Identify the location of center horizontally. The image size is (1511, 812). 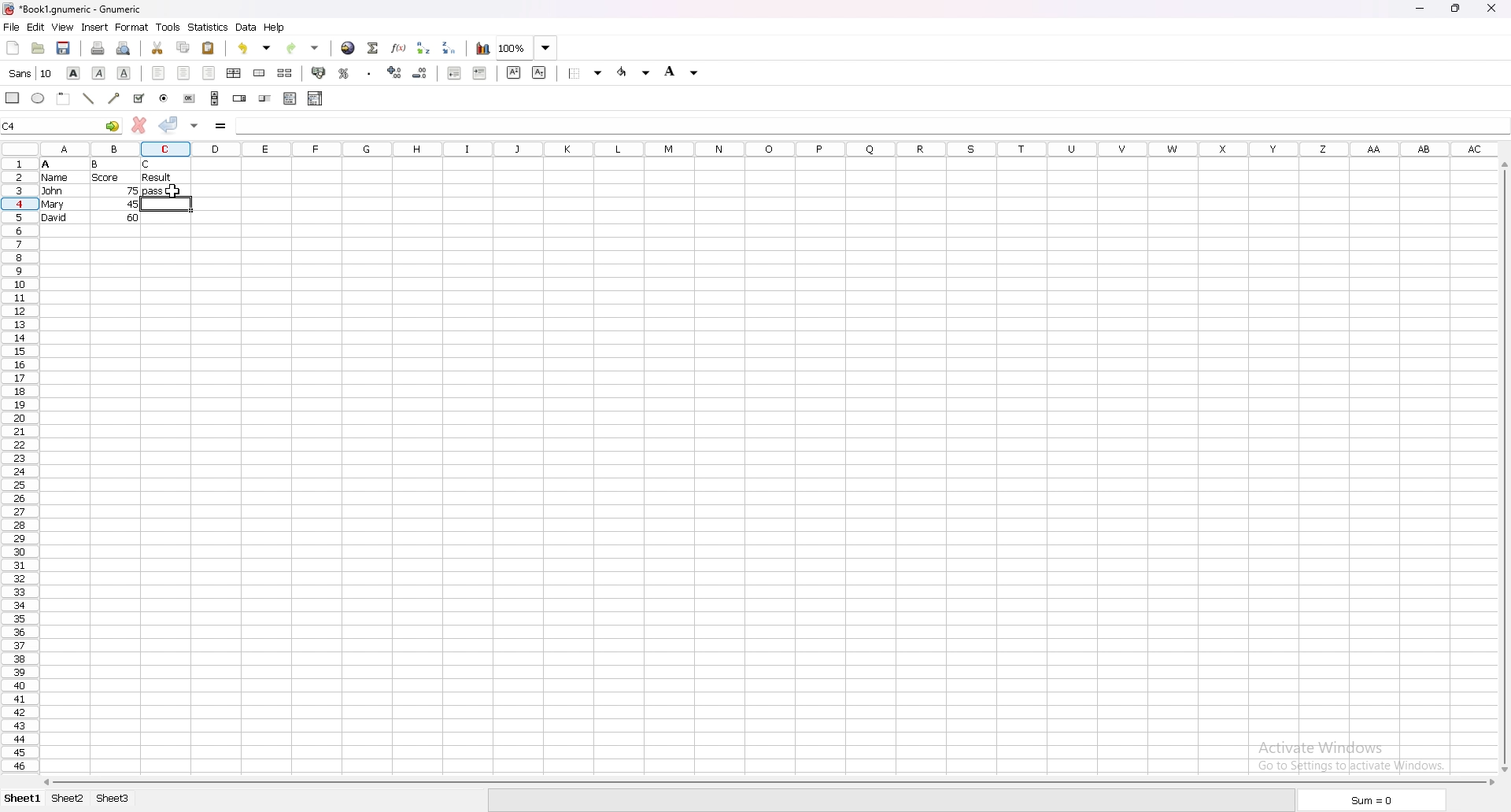
(234, 74).